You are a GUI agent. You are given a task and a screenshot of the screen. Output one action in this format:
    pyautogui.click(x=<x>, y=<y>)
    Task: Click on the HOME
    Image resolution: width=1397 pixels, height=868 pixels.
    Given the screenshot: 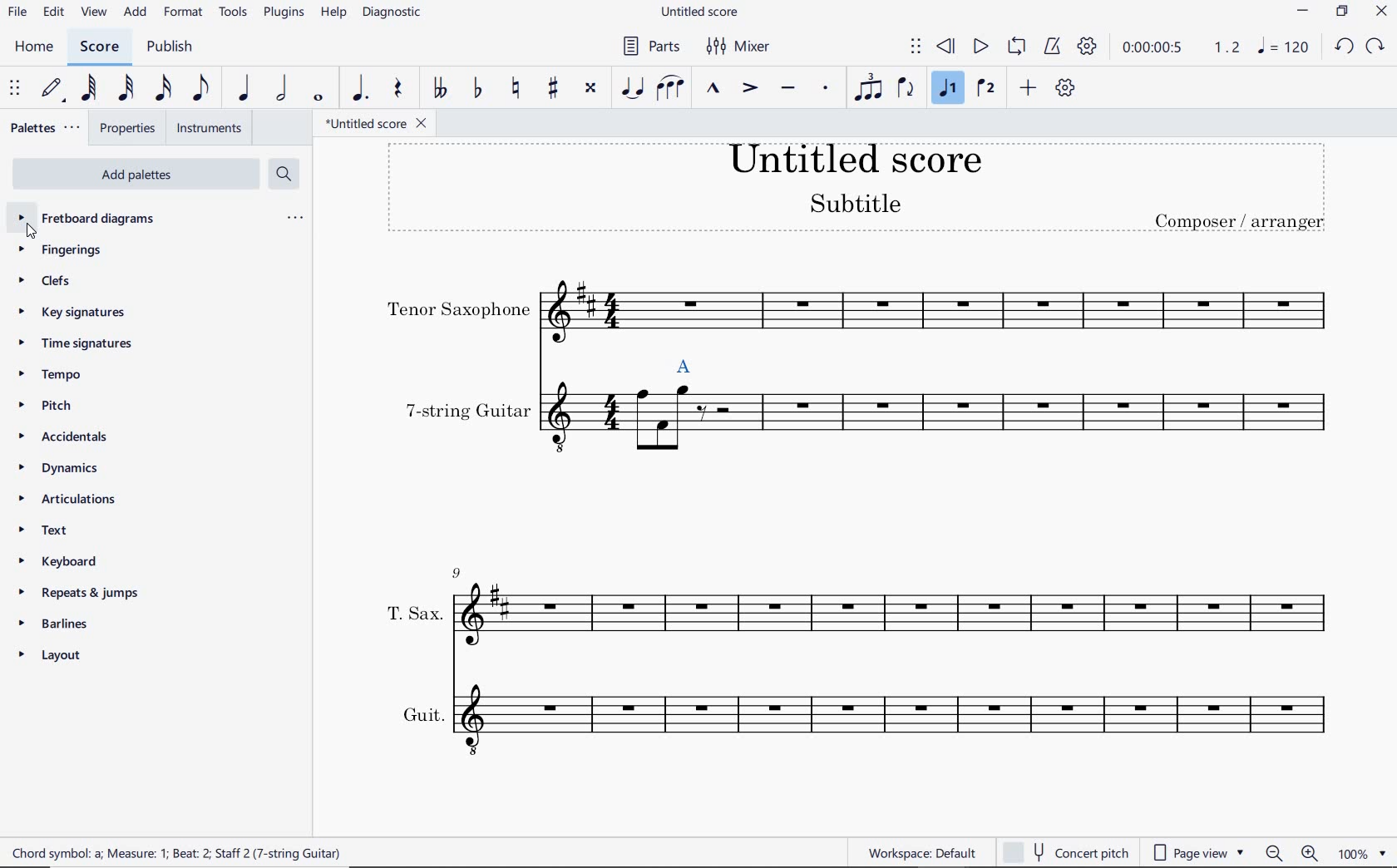 What is the action you would take?
    pyautogui.click(x=35, y=47)
    